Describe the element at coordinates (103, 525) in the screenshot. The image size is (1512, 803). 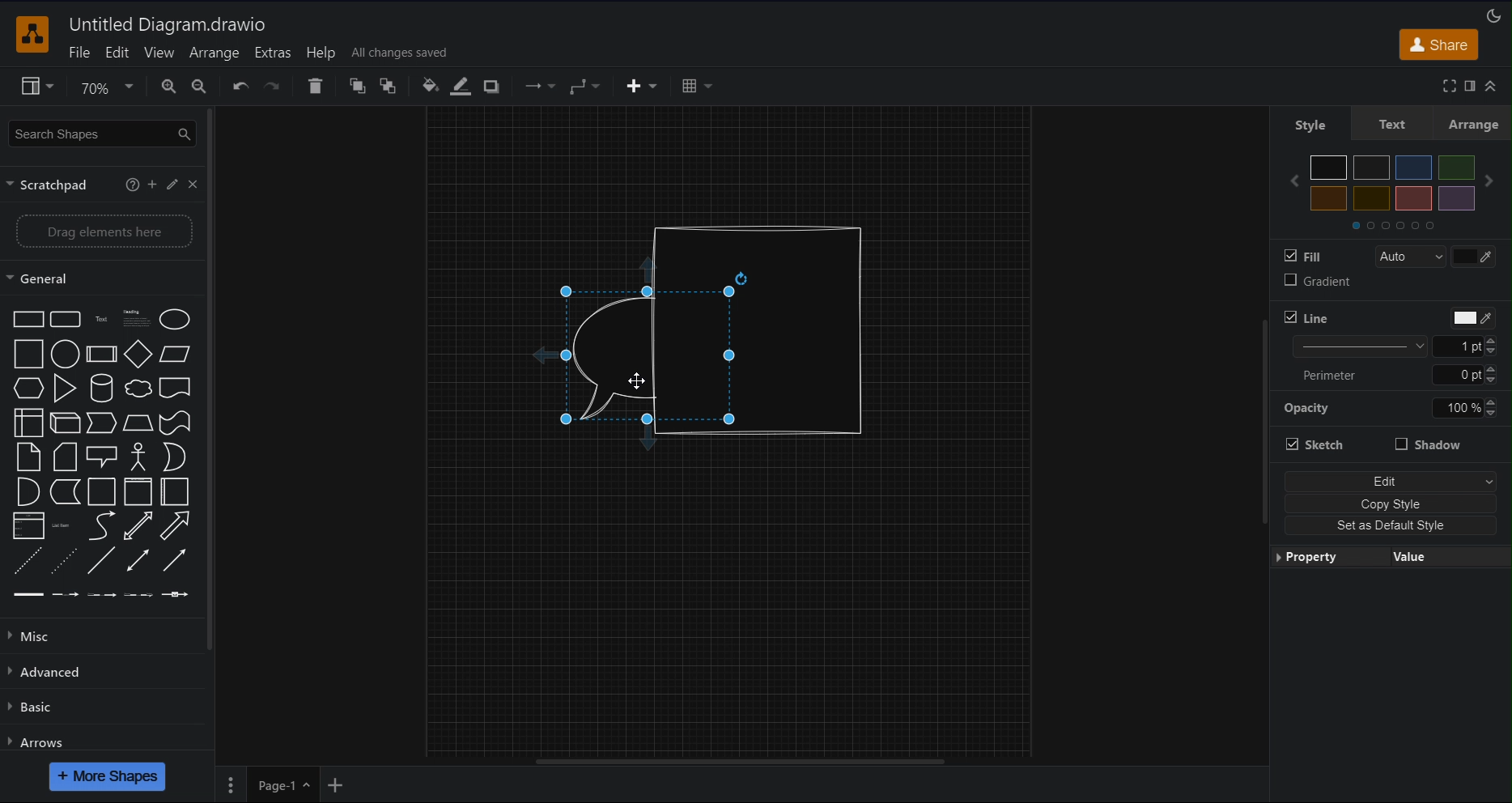
I see `Curve` at that location.